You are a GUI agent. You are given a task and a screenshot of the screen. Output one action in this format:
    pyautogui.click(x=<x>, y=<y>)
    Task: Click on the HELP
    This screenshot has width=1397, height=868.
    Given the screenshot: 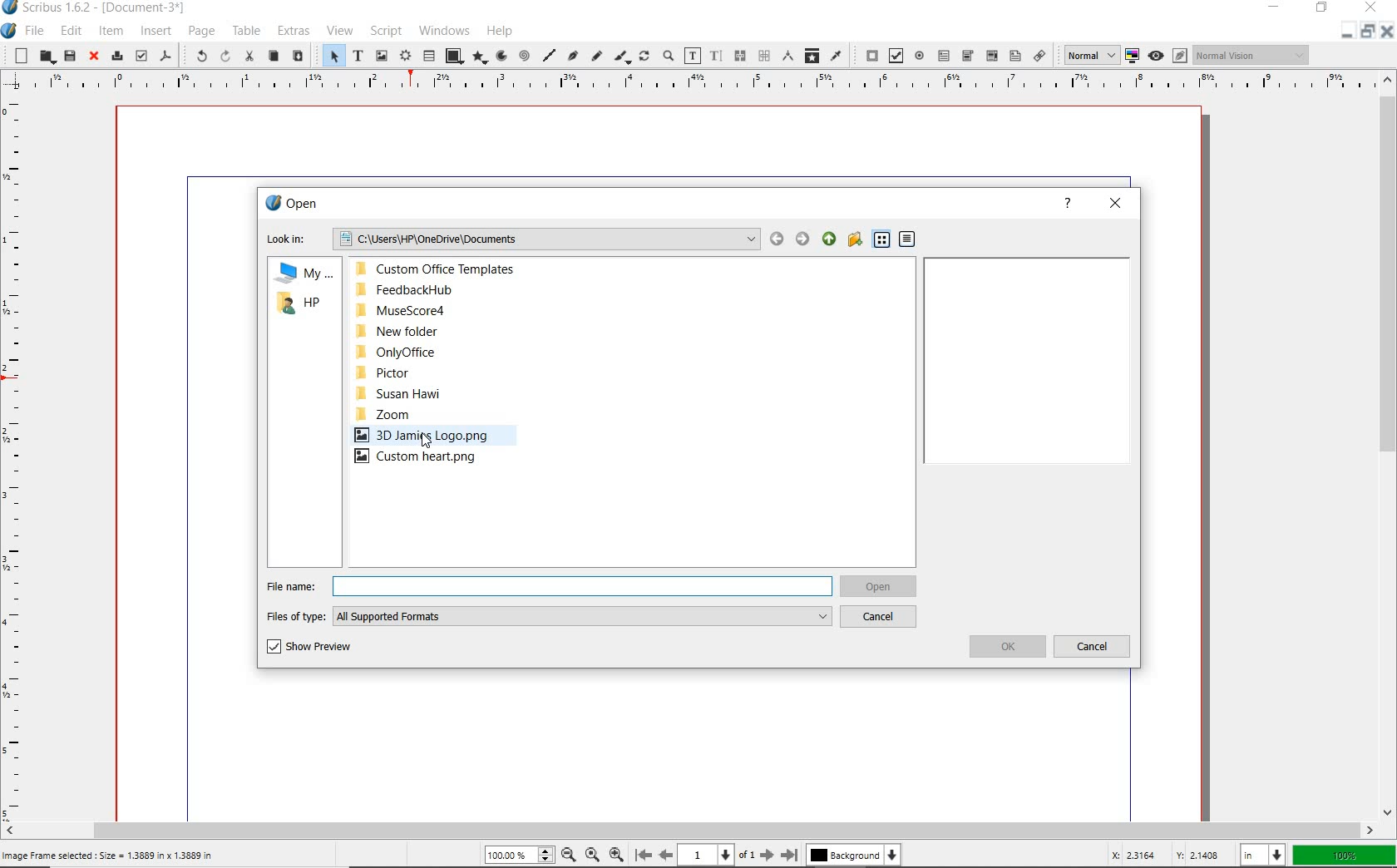 What is the action you would take?
    pyautogui.click(x=501, y=31)
    